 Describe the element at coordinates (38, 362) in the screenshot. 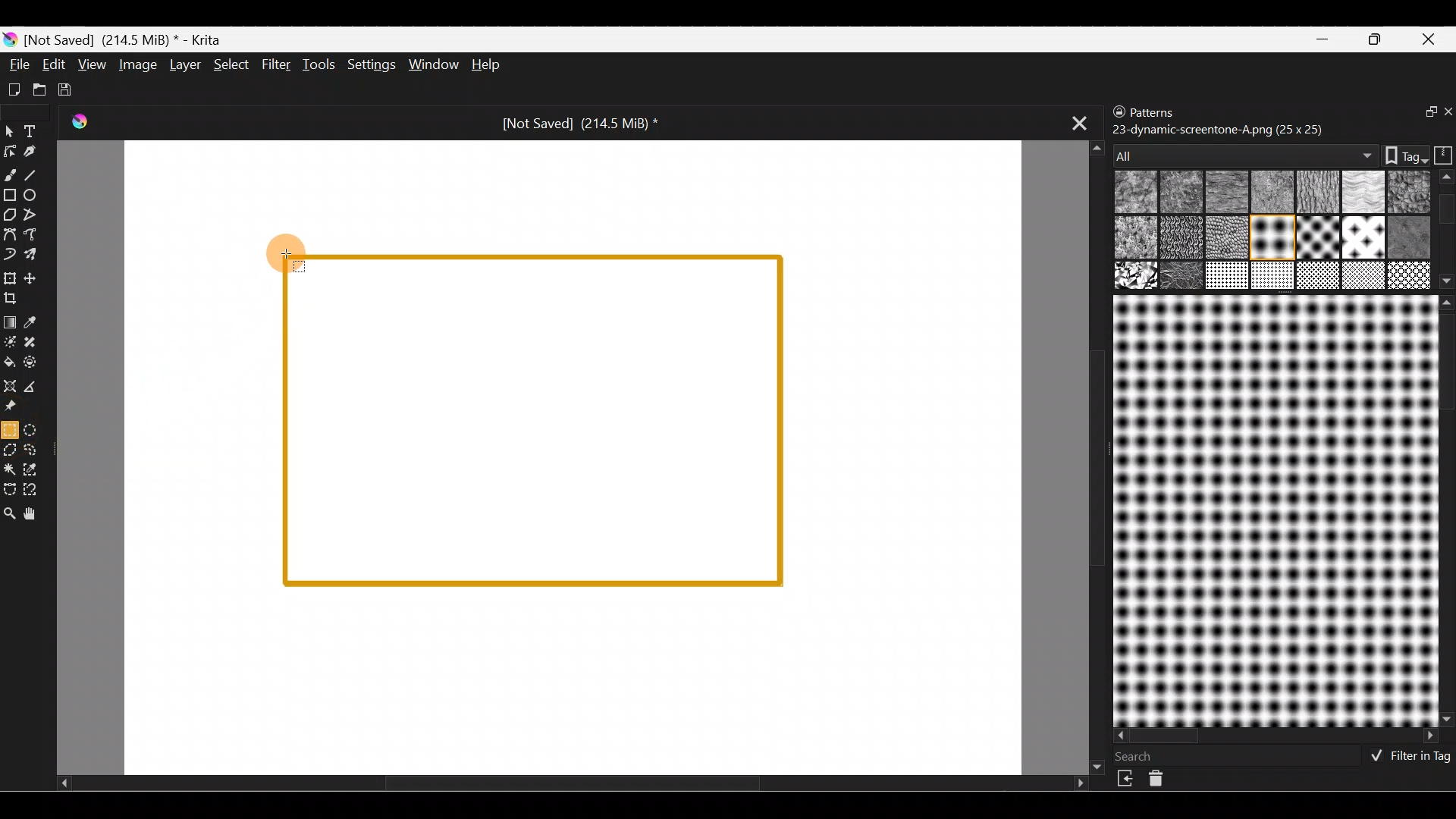

I see `Enclose & fill tool` at that location.